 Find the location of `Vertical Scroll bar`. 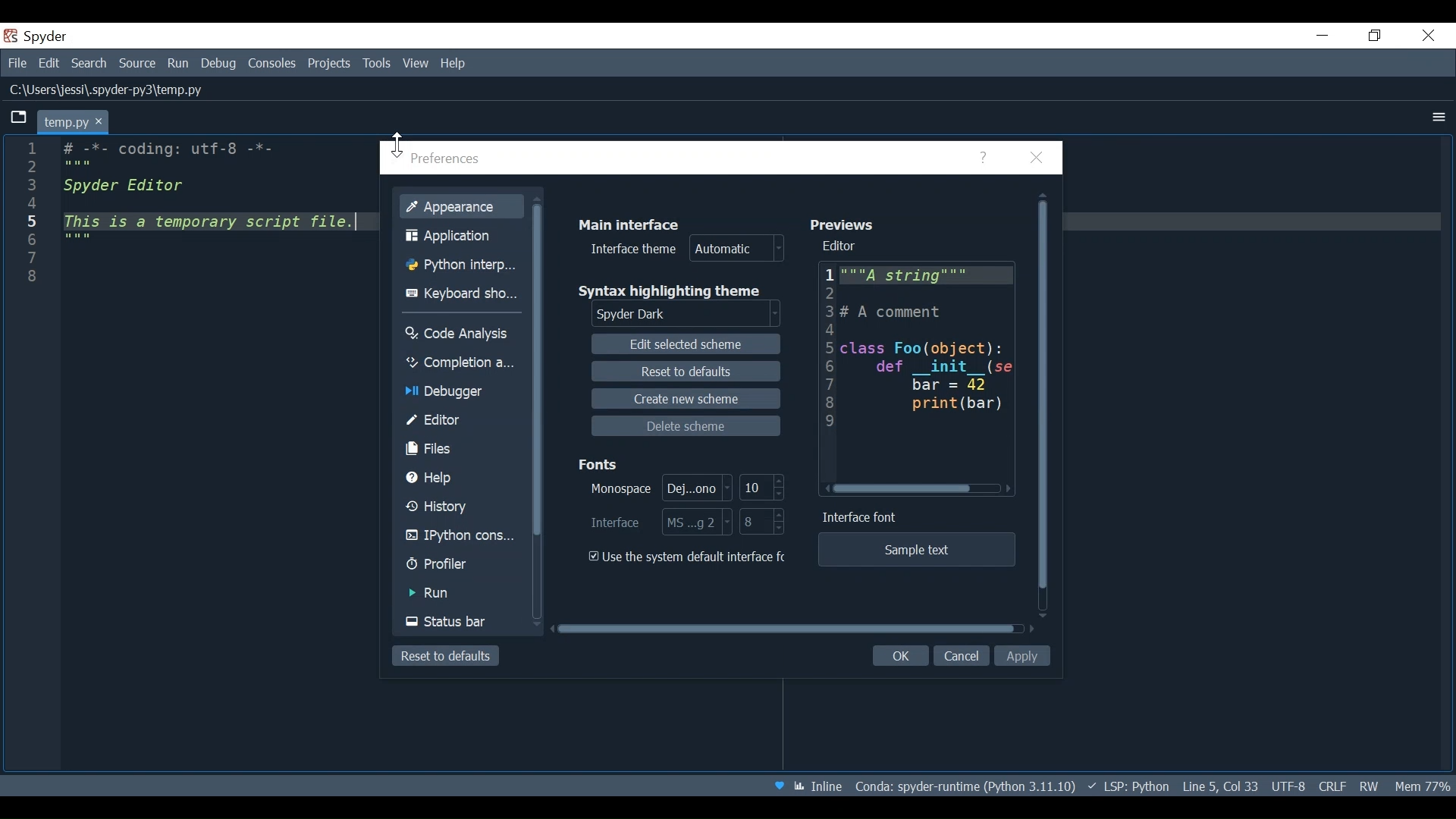

Vertical Scroll bar is located at coordinates (1044, 390).